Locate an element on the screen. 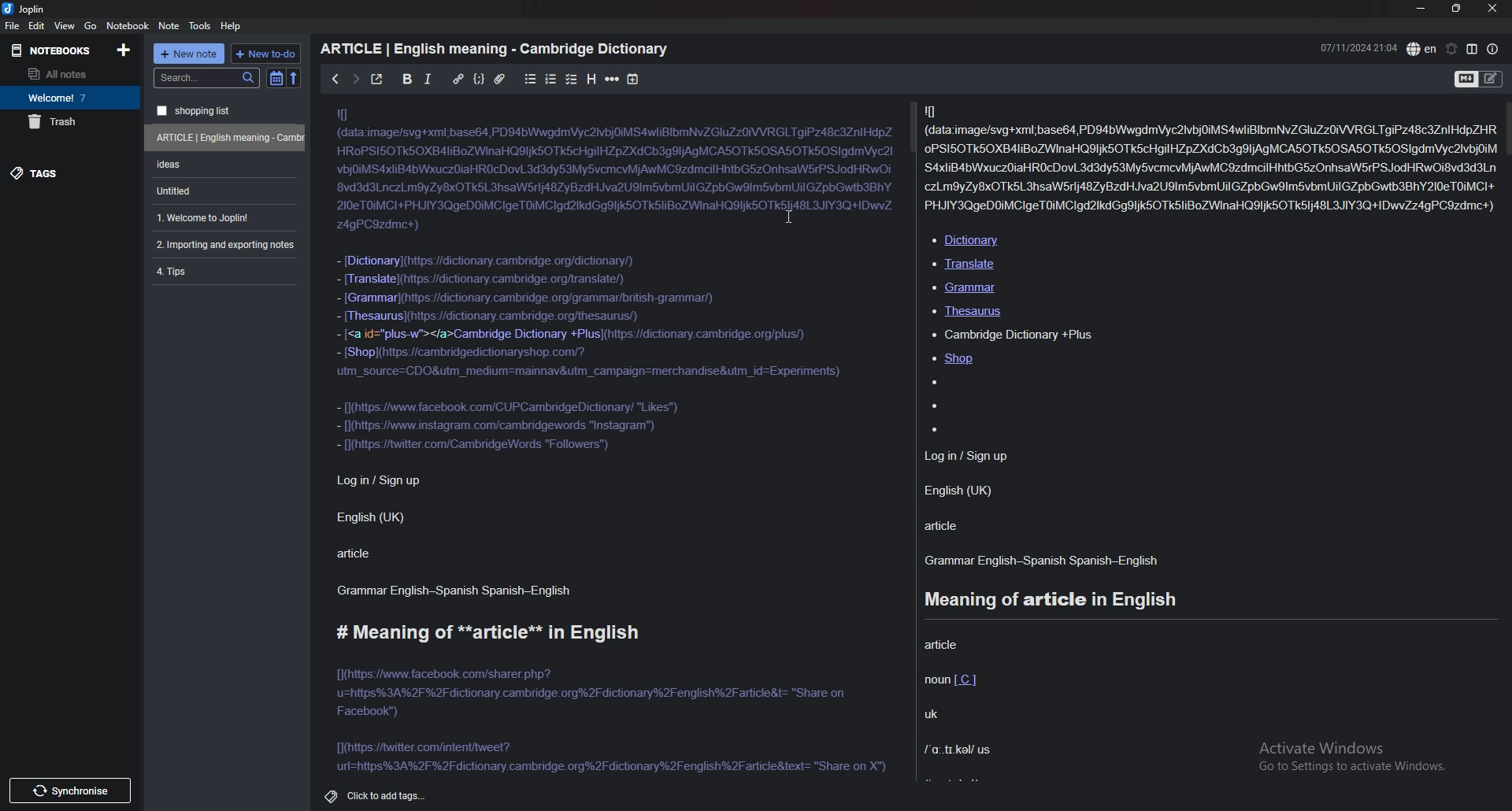 Image resolution: width=1512 pixels, height=811 pixels. toggle external editor is located at coordinates (377, 79).